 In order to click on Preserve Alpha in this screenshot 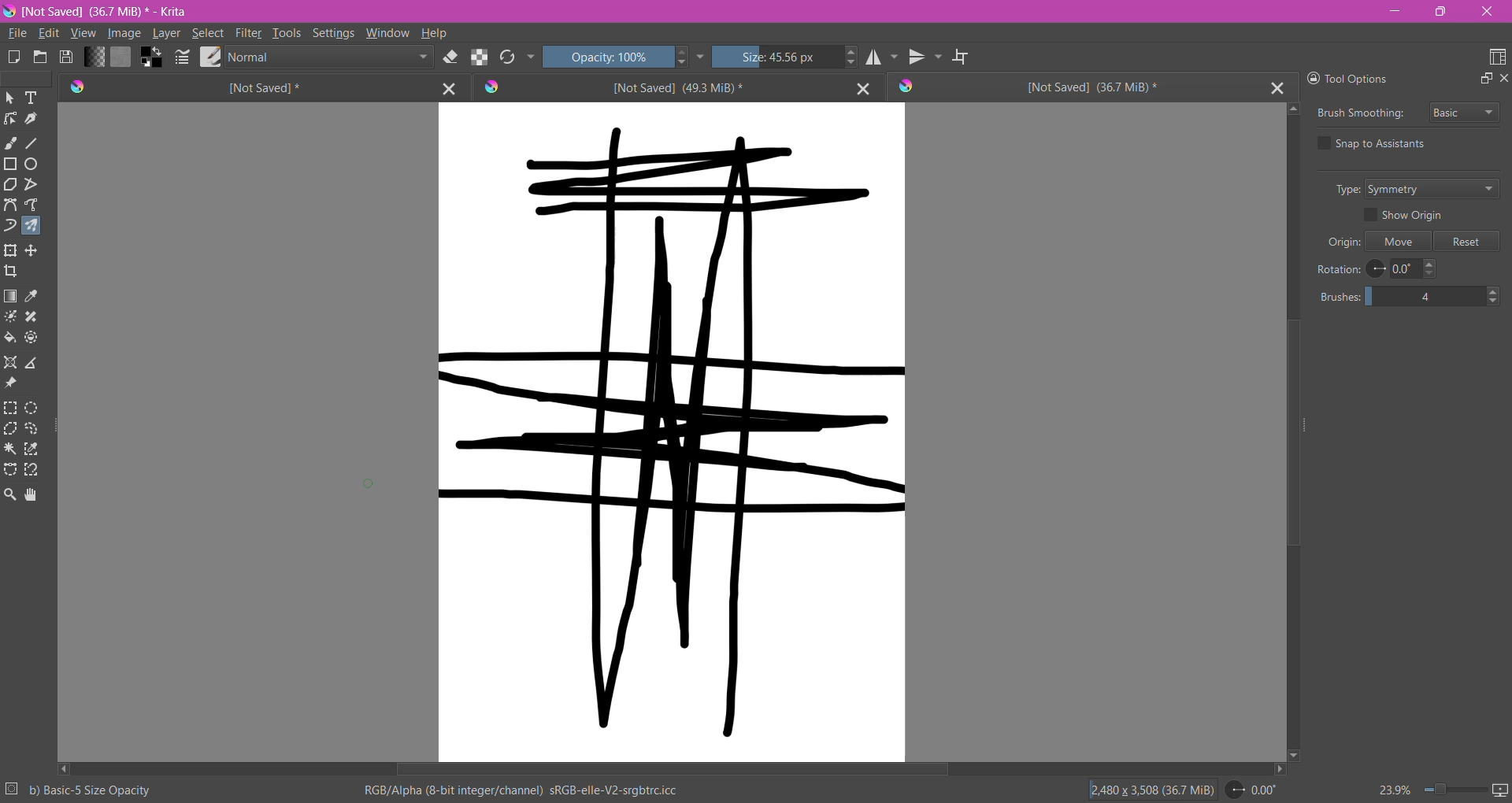, I will do `click(477, 56)`.